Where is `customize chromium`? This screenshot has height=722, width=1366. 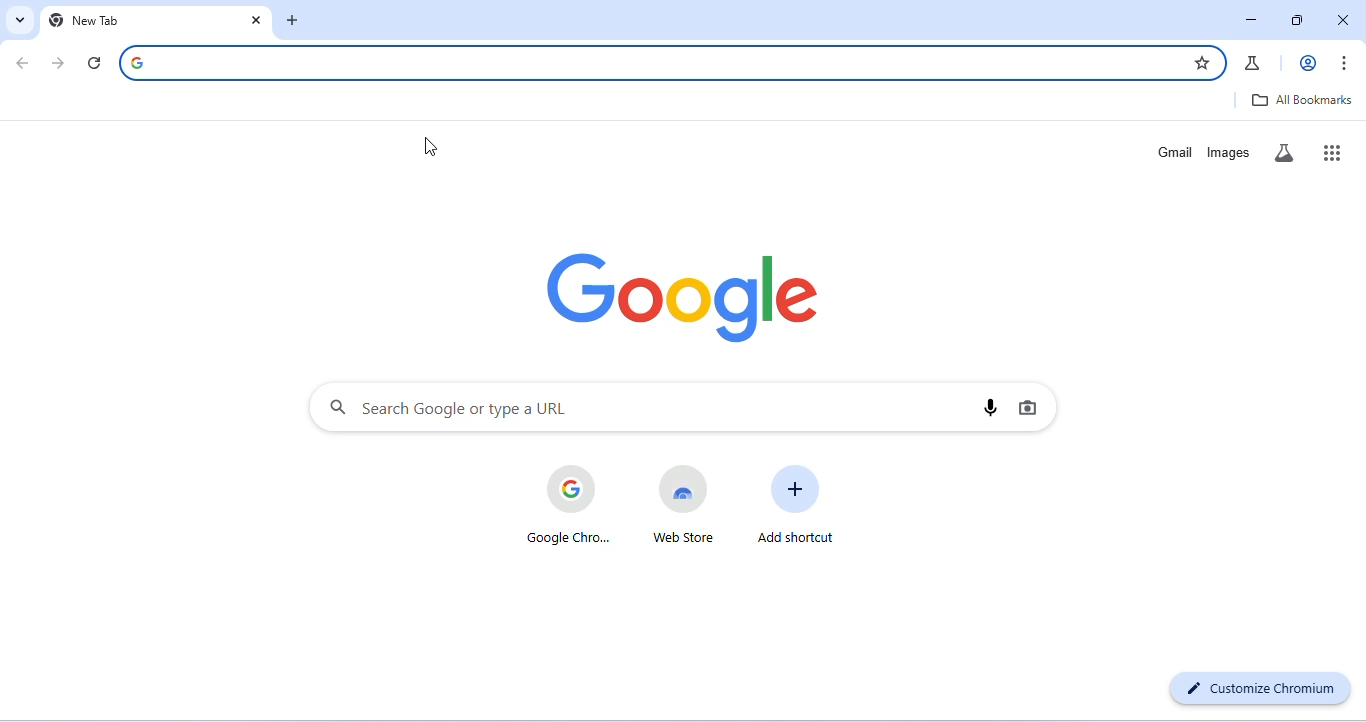 customize chromium is located at coordinates (1260, 686).